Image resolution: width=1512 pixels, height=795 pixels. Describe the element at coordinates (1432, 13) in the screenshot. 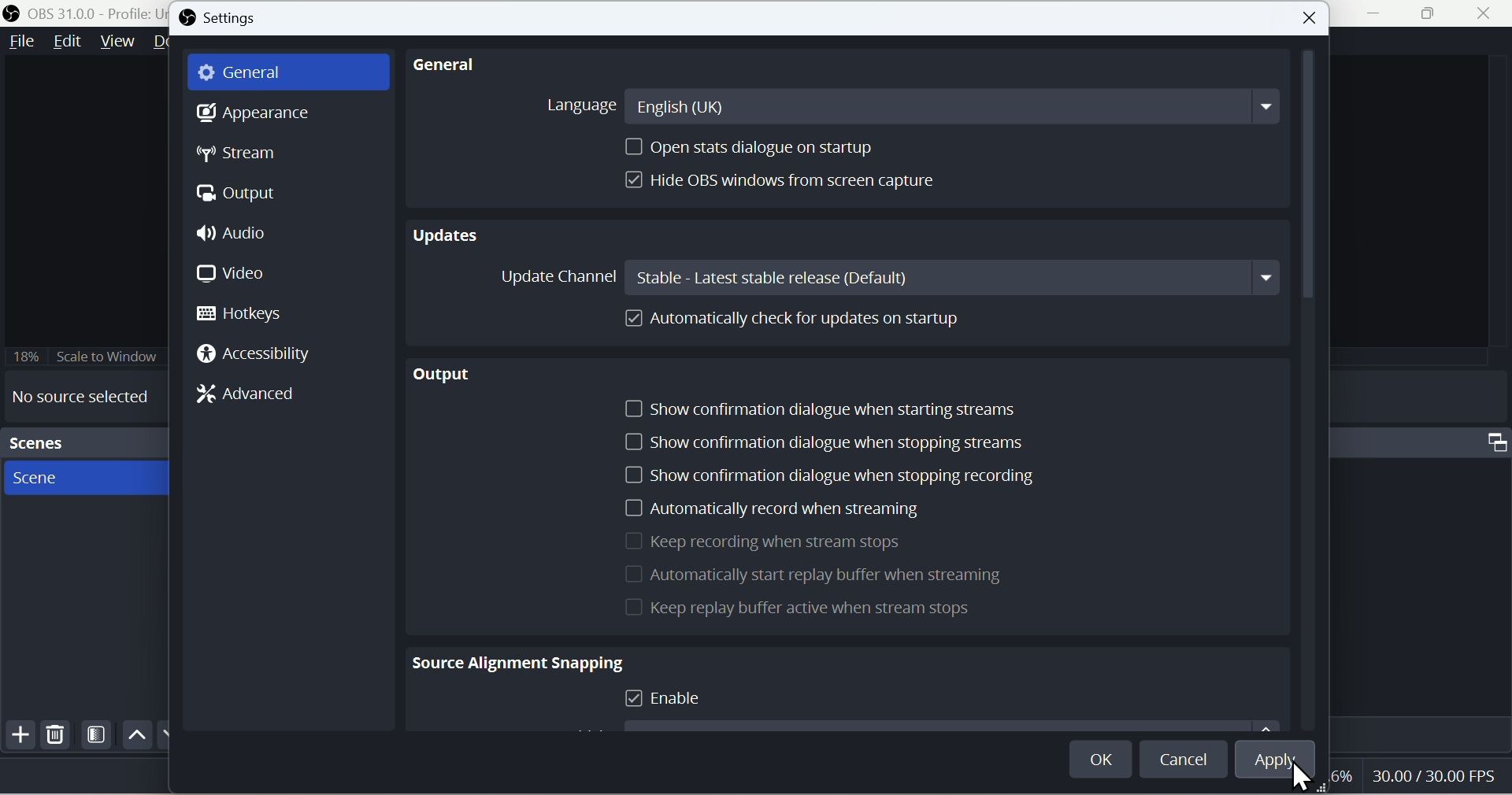

I see `Window Expand` at that location.